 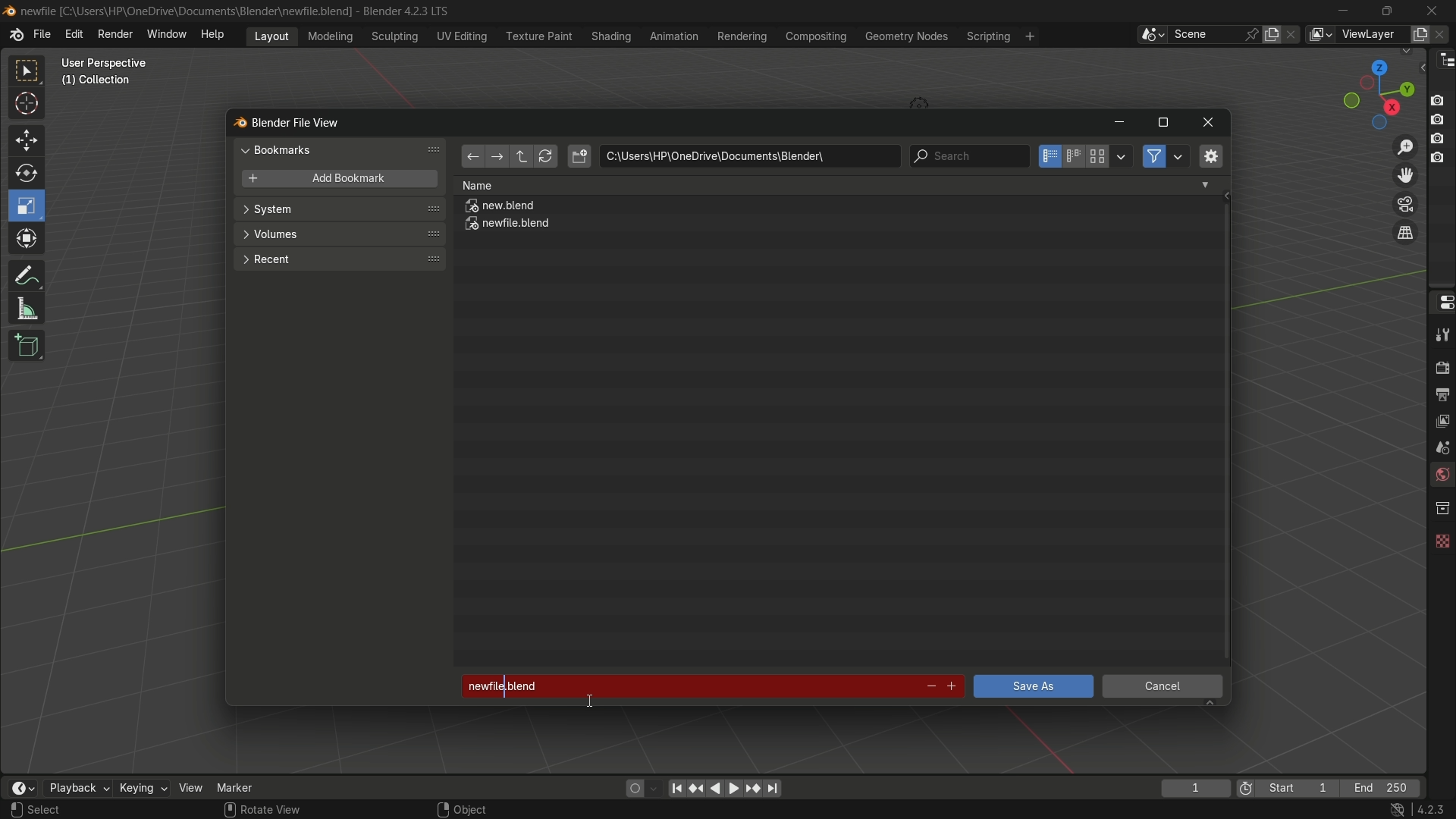 I want to click on search bar, so click(x=968, y=156).